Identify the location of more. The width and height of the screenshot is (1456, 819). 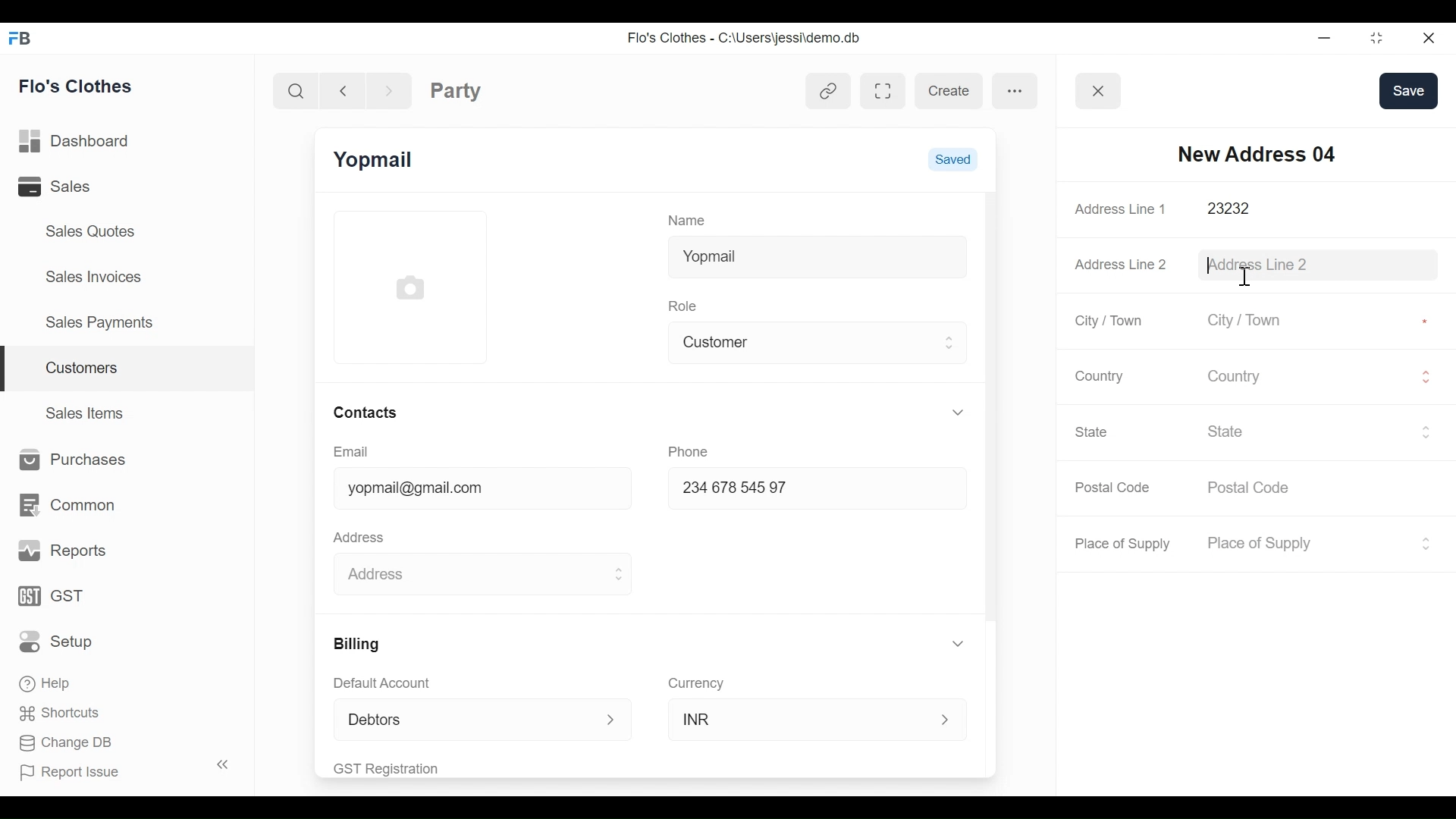
(1015, 89).